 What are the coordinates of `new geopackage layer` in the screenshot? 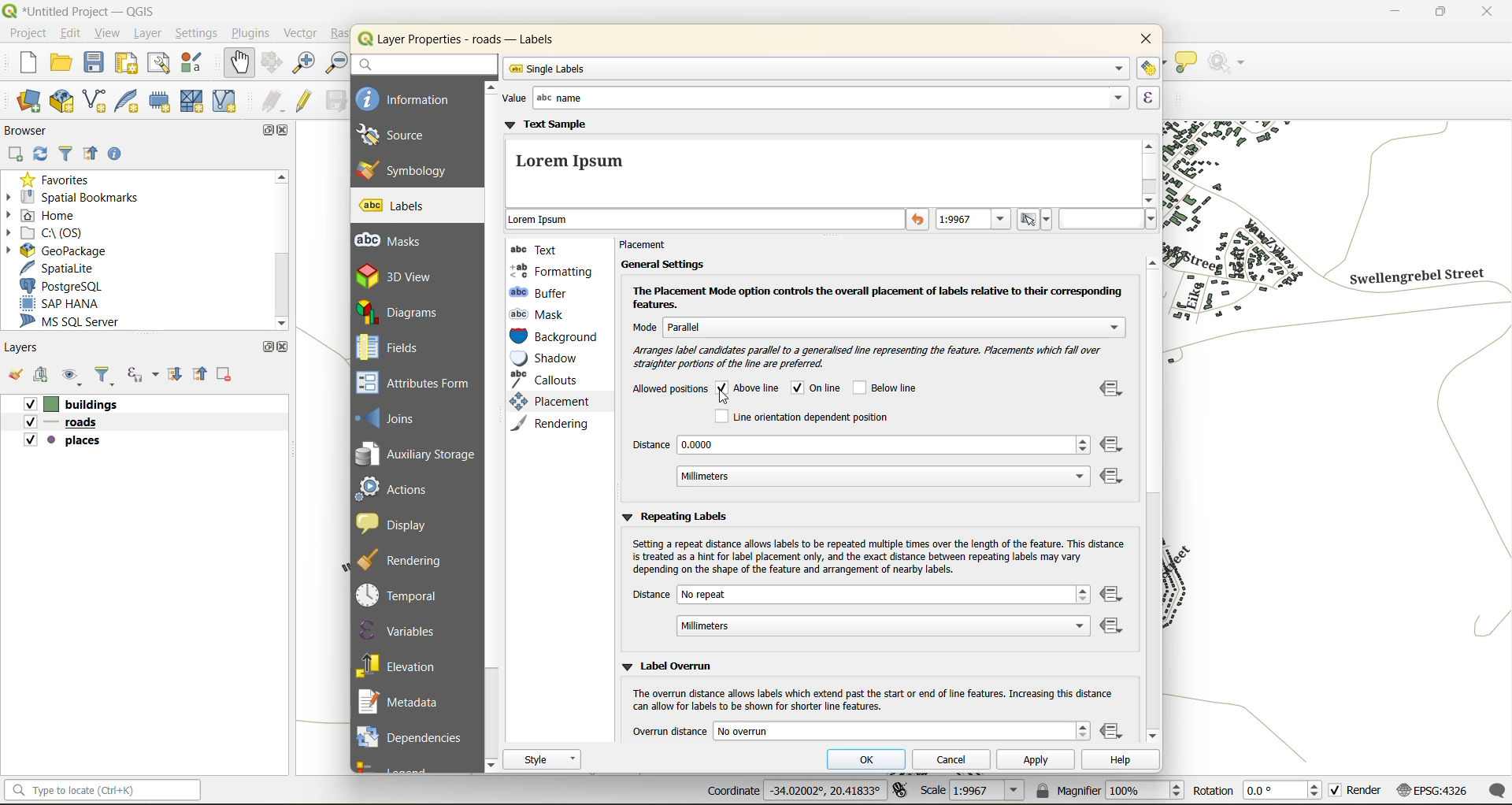 It's located at (66, 105).